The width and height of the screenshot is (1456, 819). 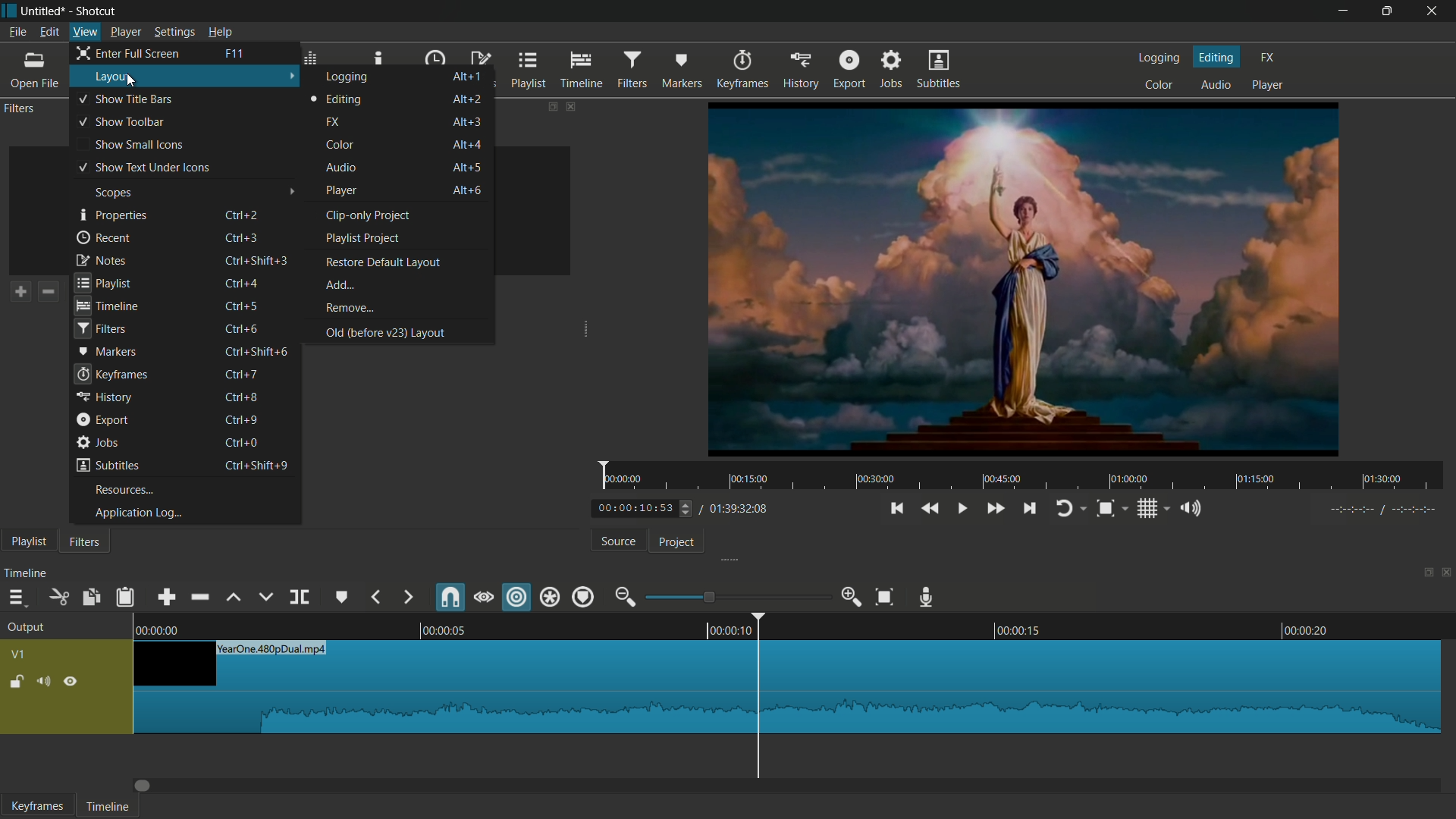 What do you see at coordinates (1160, 58) in the screenshot?
I see `logging` at bounding box center [1160, 58].